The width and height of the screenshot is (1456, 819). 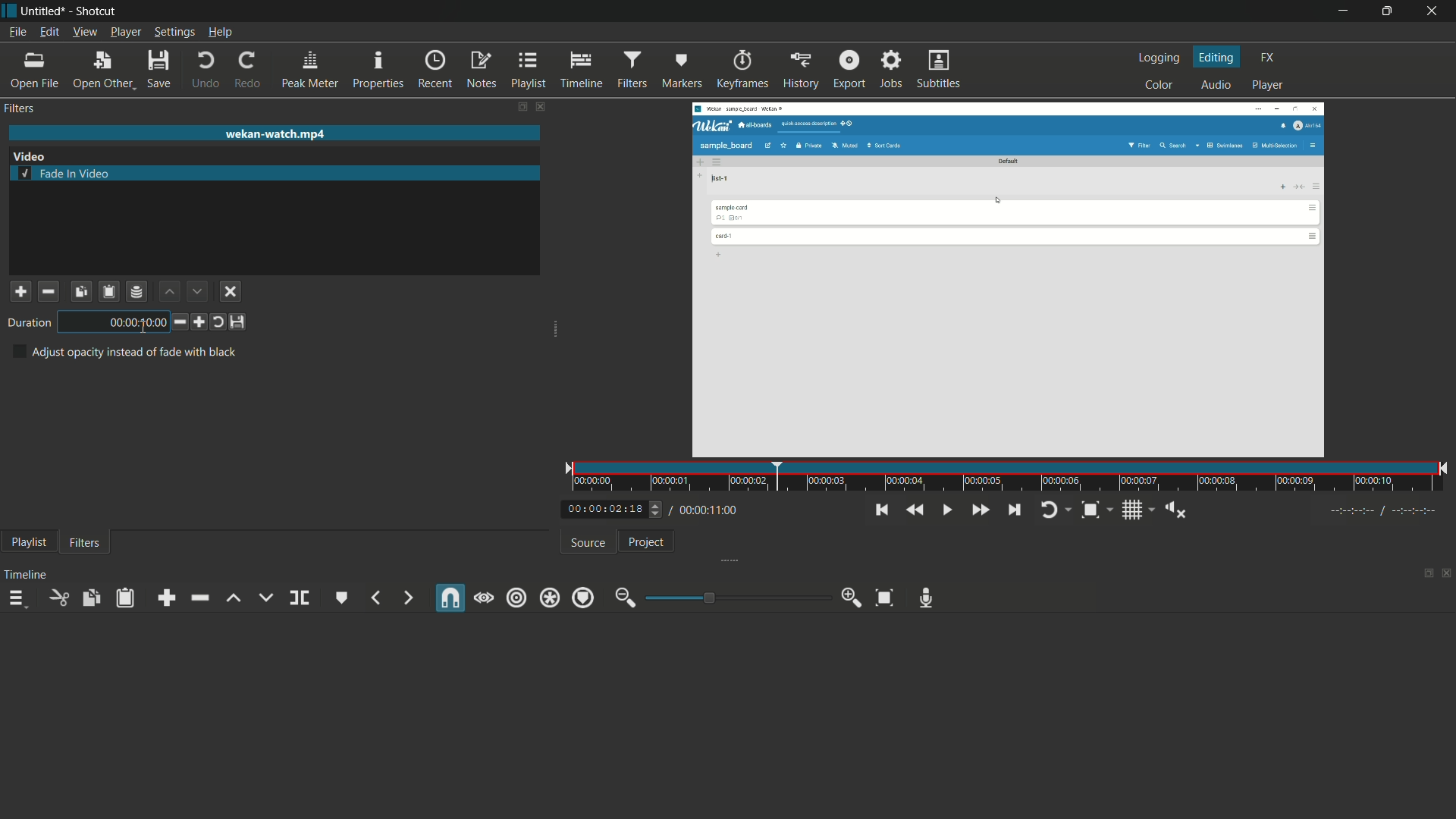 I want to click on zoom in, so click(x=852, y=598).